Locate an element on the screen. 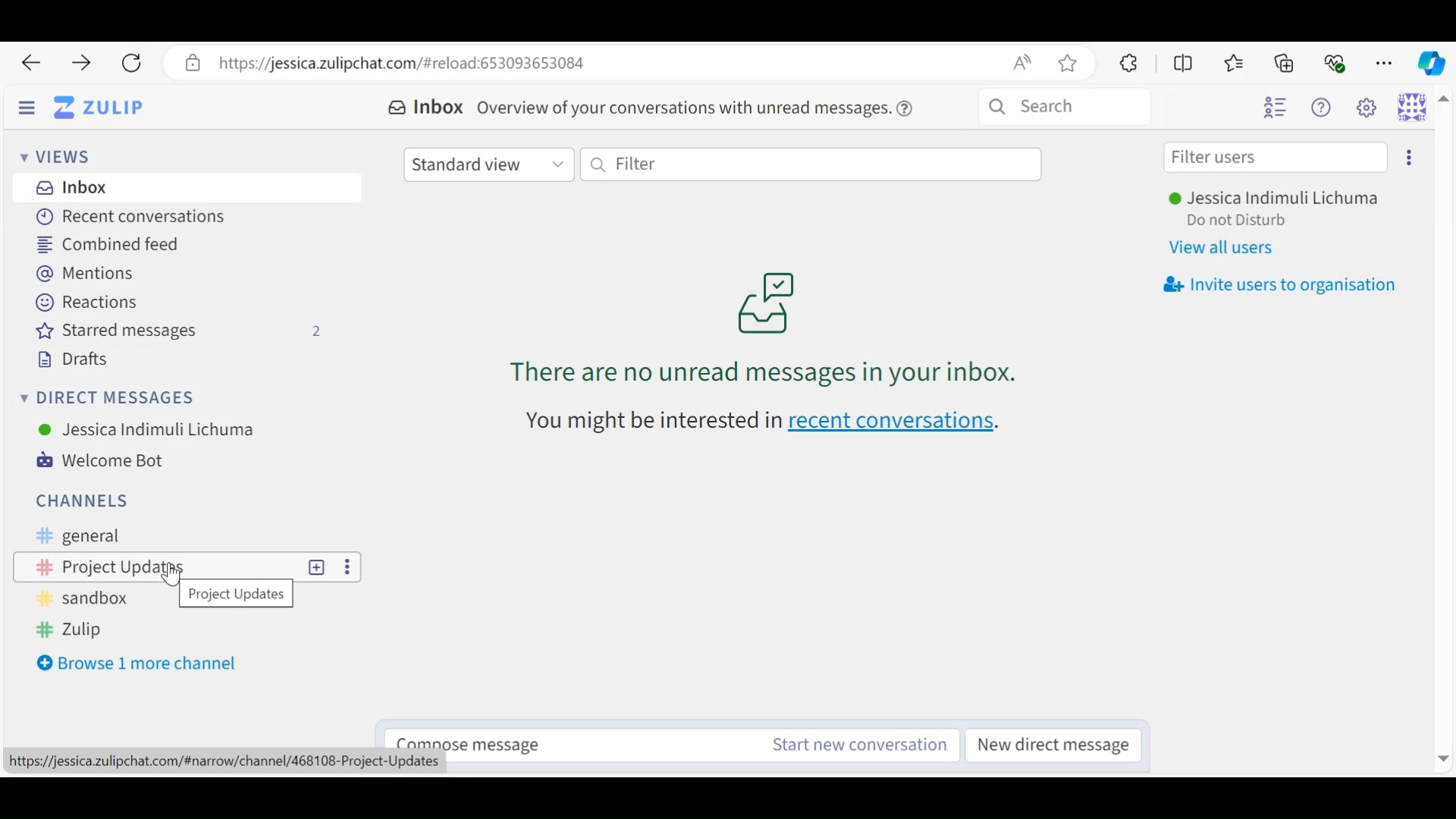 This screenshot has height=819, width=1456. Start new conversations is located at coordinates (854, 745).